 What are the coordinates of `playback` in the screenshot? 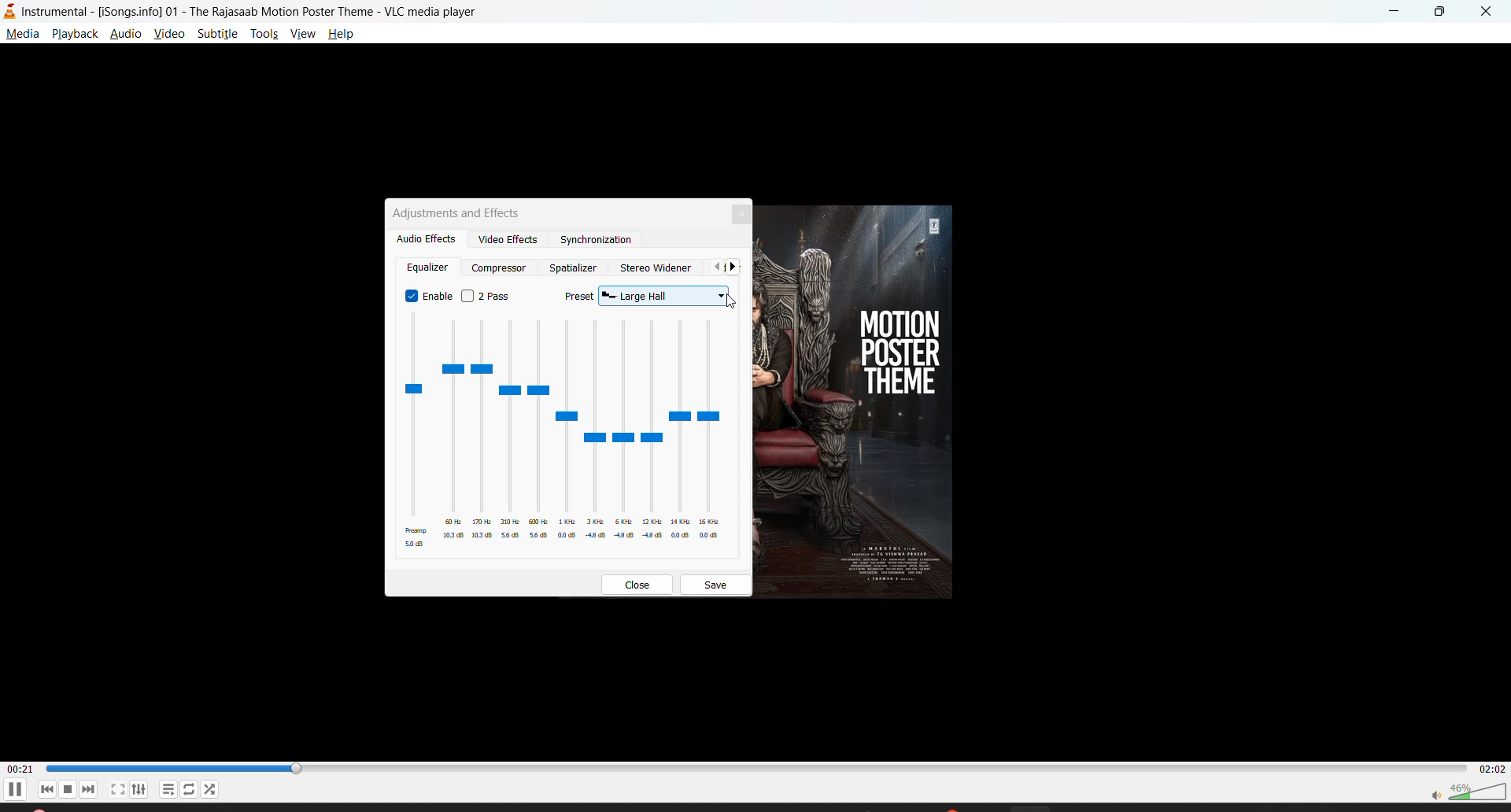 It's located at (78, 35).